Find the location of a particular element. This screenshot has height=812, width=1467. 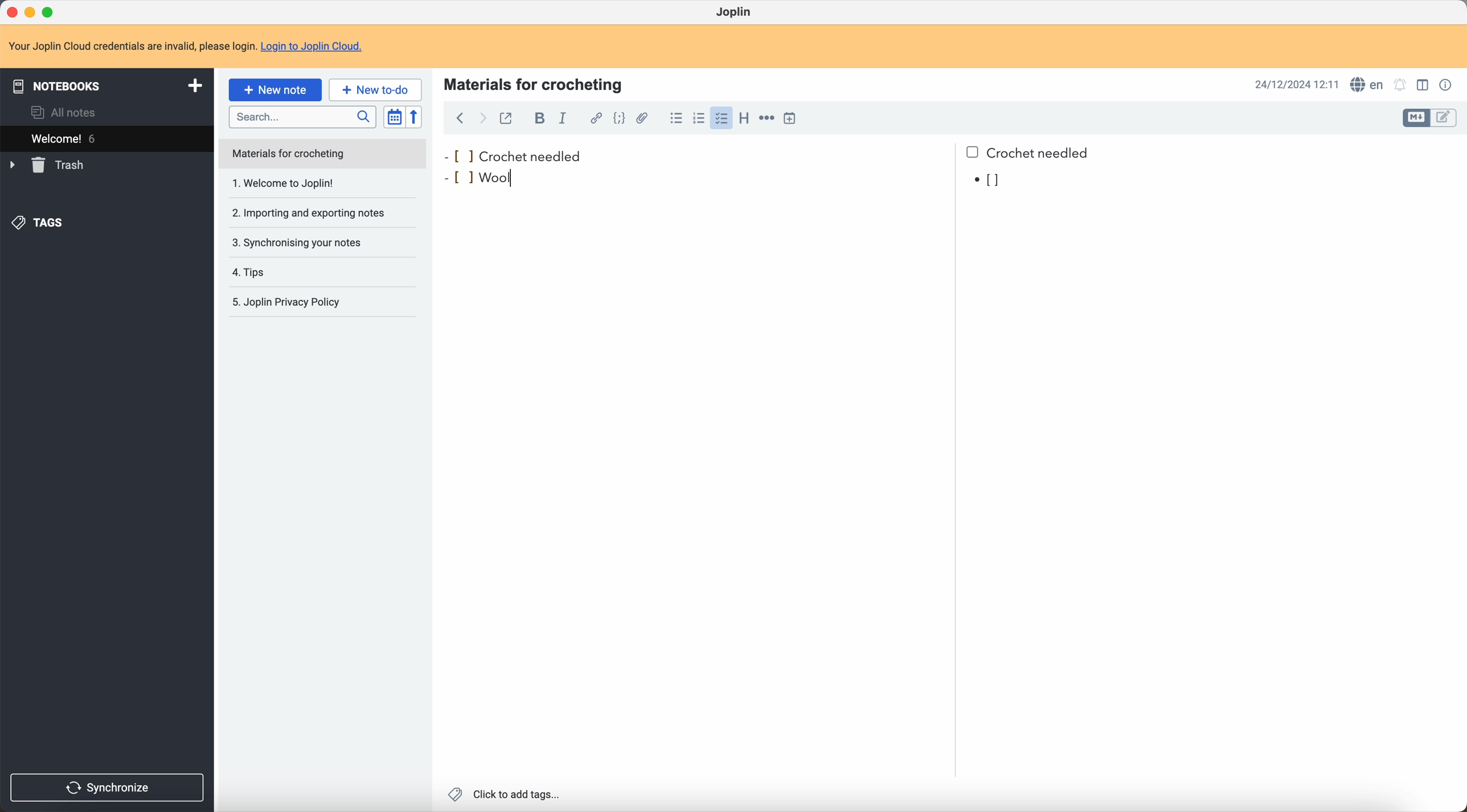

welcome is located at coordinates (106, 137).